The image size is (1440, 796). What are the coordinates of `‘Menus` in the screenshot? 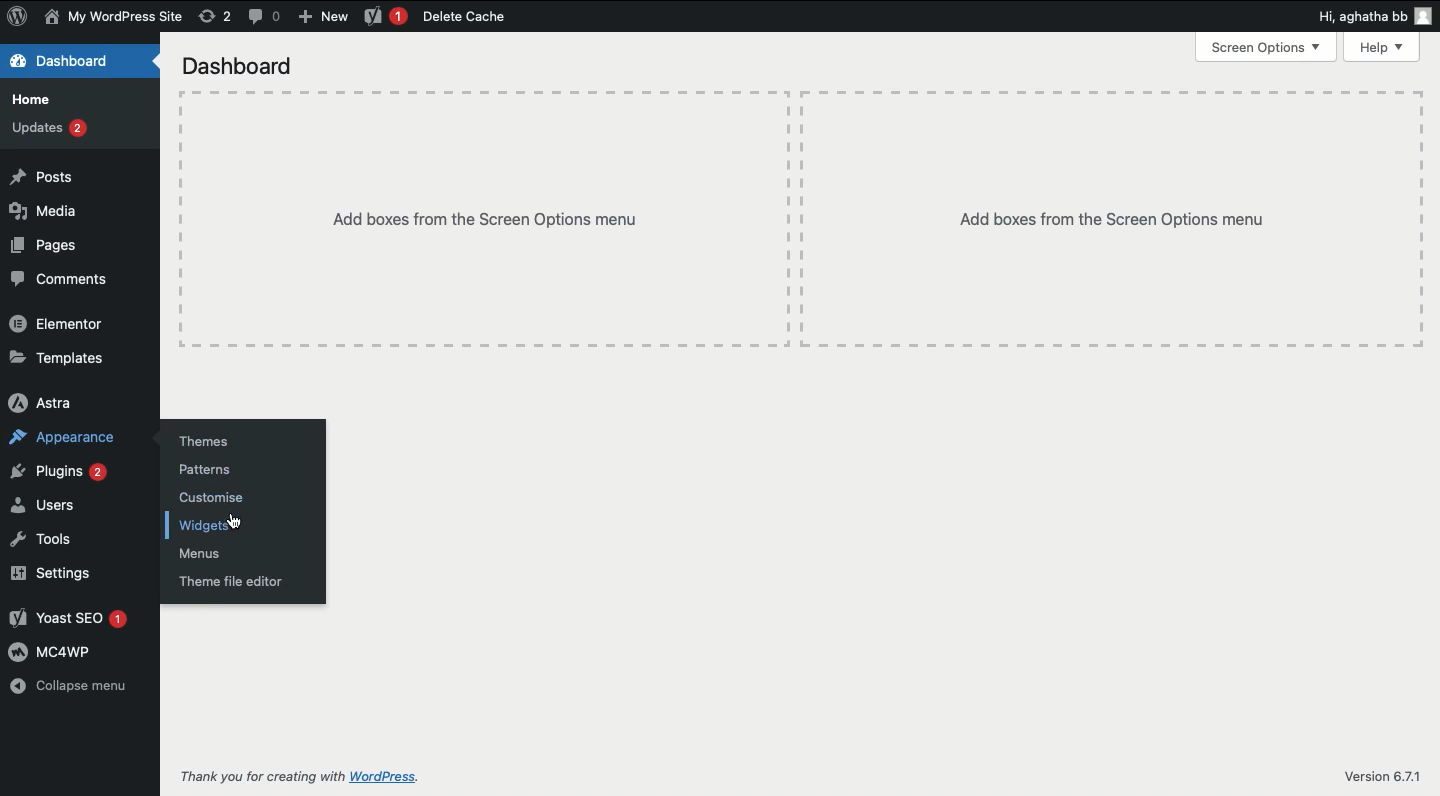 It's located at (209, 552).